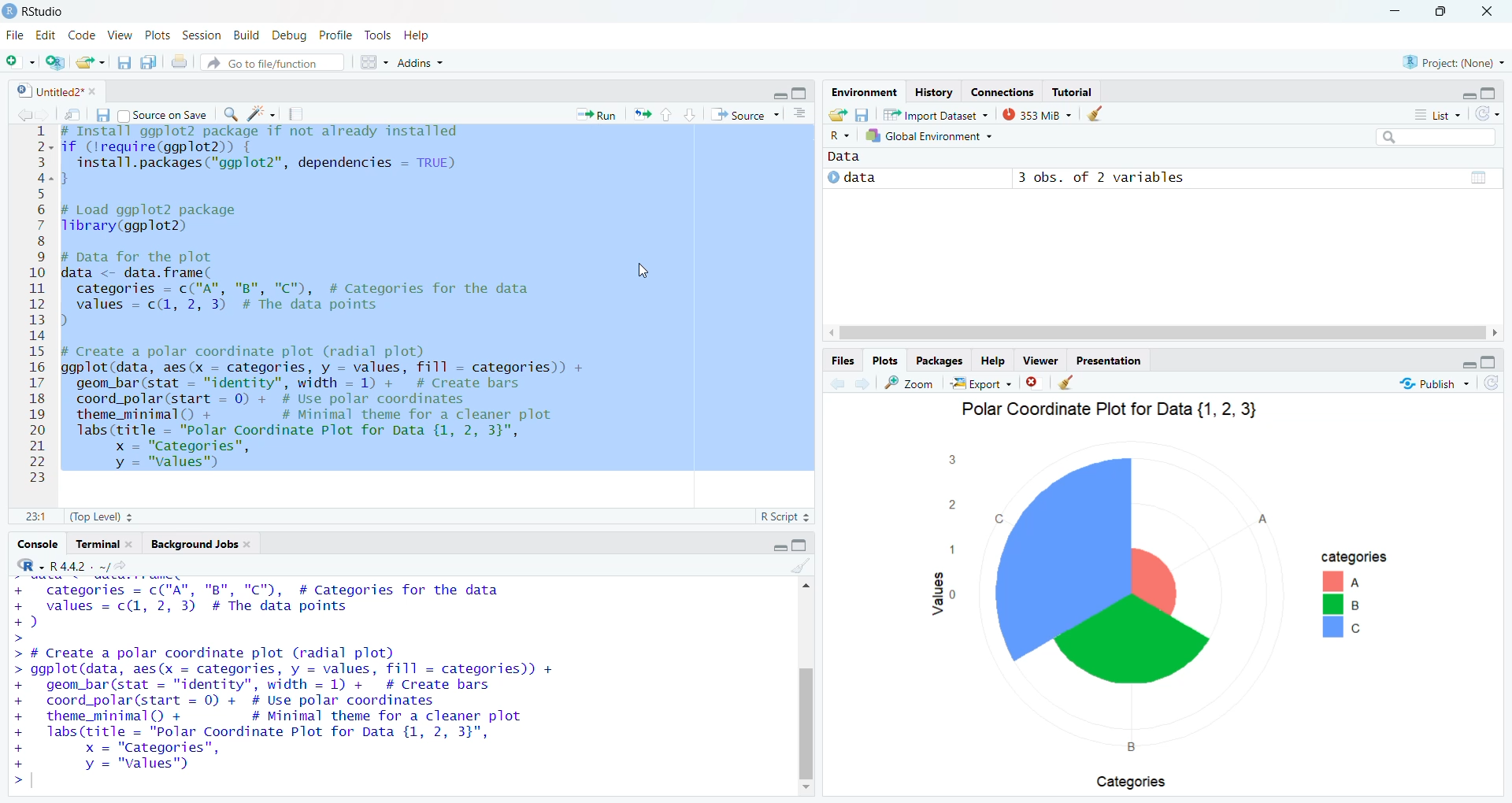 This screenshot has width=1512, height=803. What do you see at coordinates (861, 91) in the screenshot?
I see `Environment` at bounding box center [861, 91].